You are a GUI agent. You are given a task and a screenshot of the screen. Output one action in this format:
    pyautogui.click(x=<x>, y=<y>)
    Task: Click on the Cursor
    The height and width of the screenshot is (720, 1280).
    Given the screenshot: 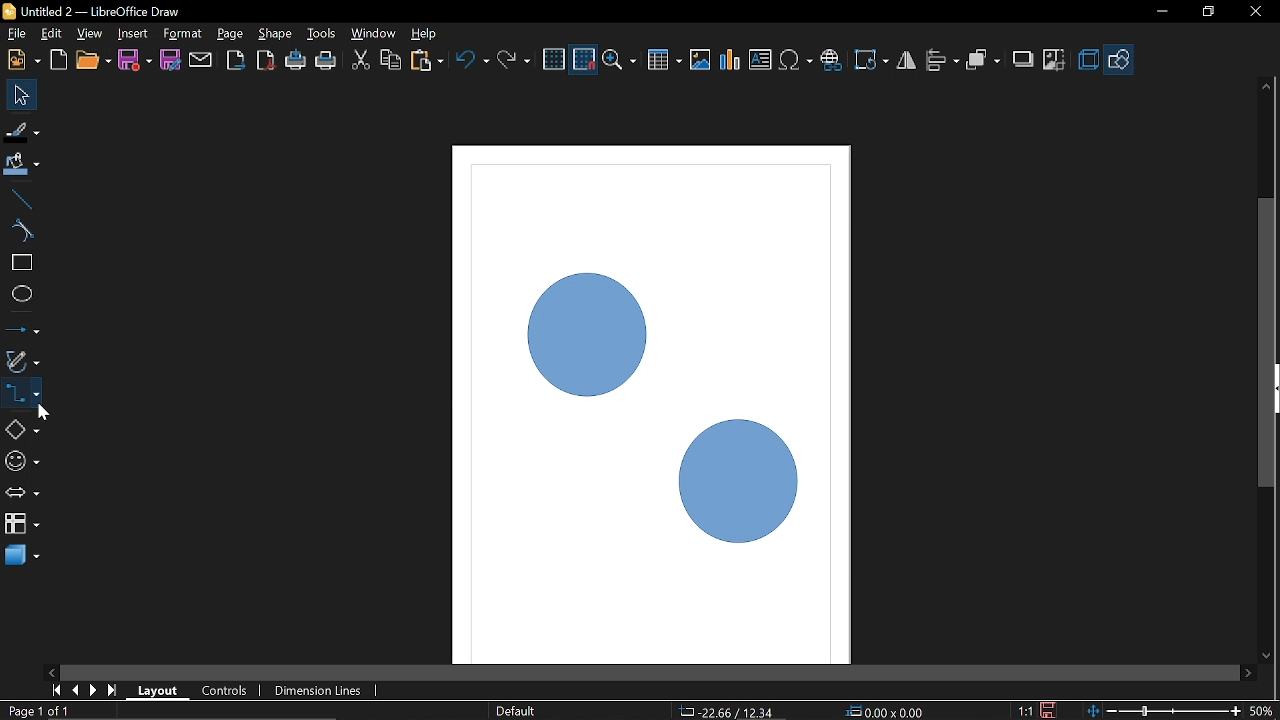 What is the action you would take?
    pyautogui.click(x=44, y=414)
    